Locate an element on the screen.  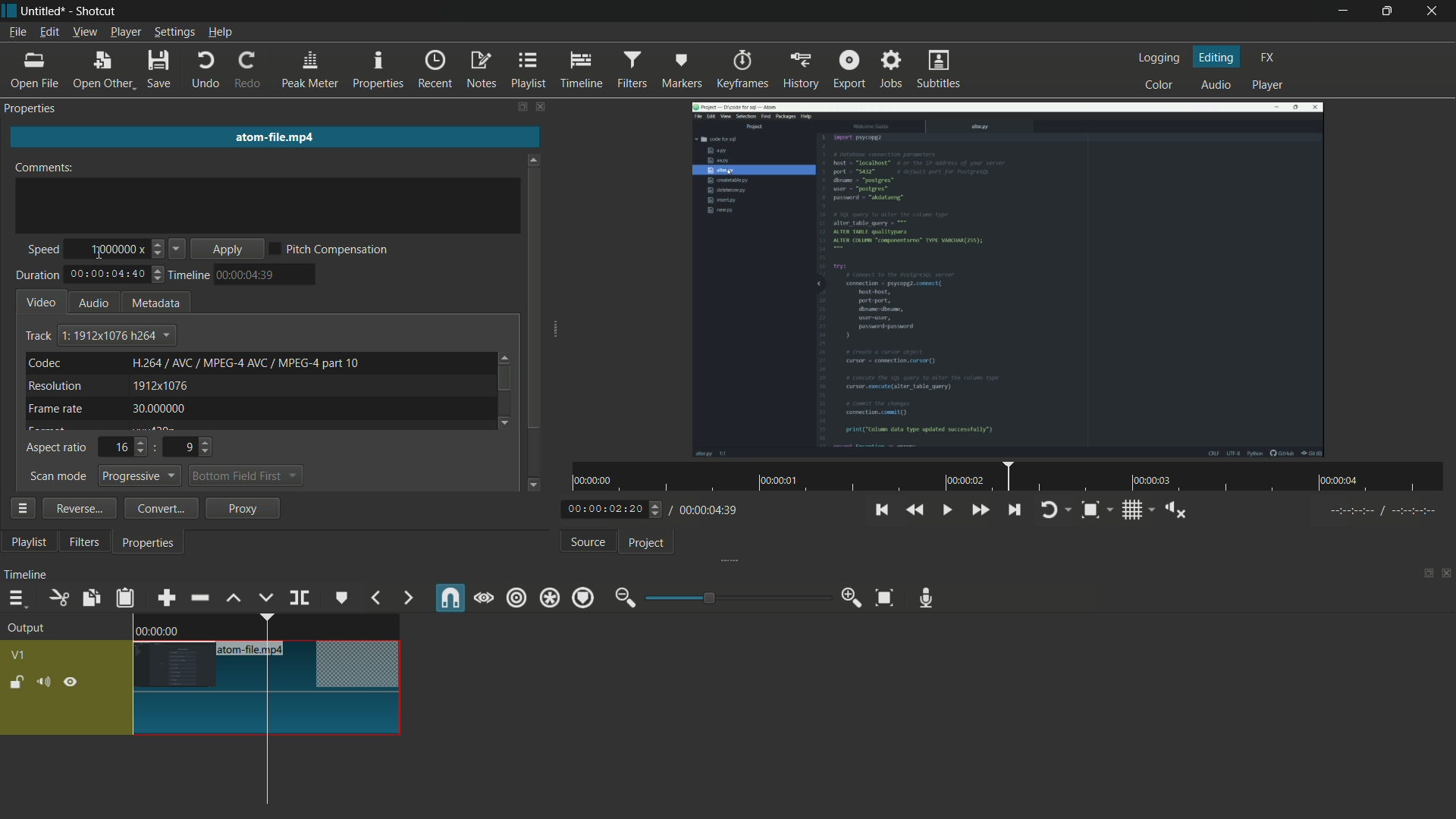
create or edit marker is located at coordinates (339, 598).